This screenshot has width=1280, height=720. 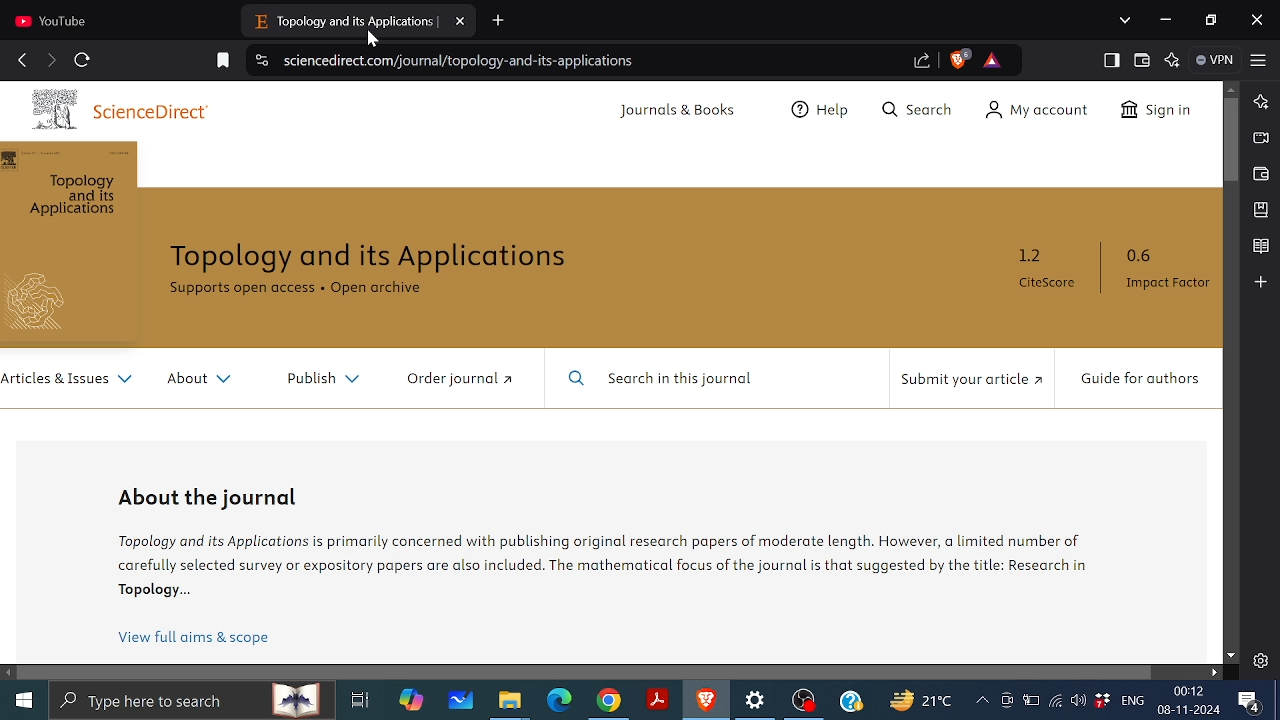 What do you see at coordinates (1112, 60) in the screenshot?
I see `Show sidebar` at bounding box center [1112, 60].